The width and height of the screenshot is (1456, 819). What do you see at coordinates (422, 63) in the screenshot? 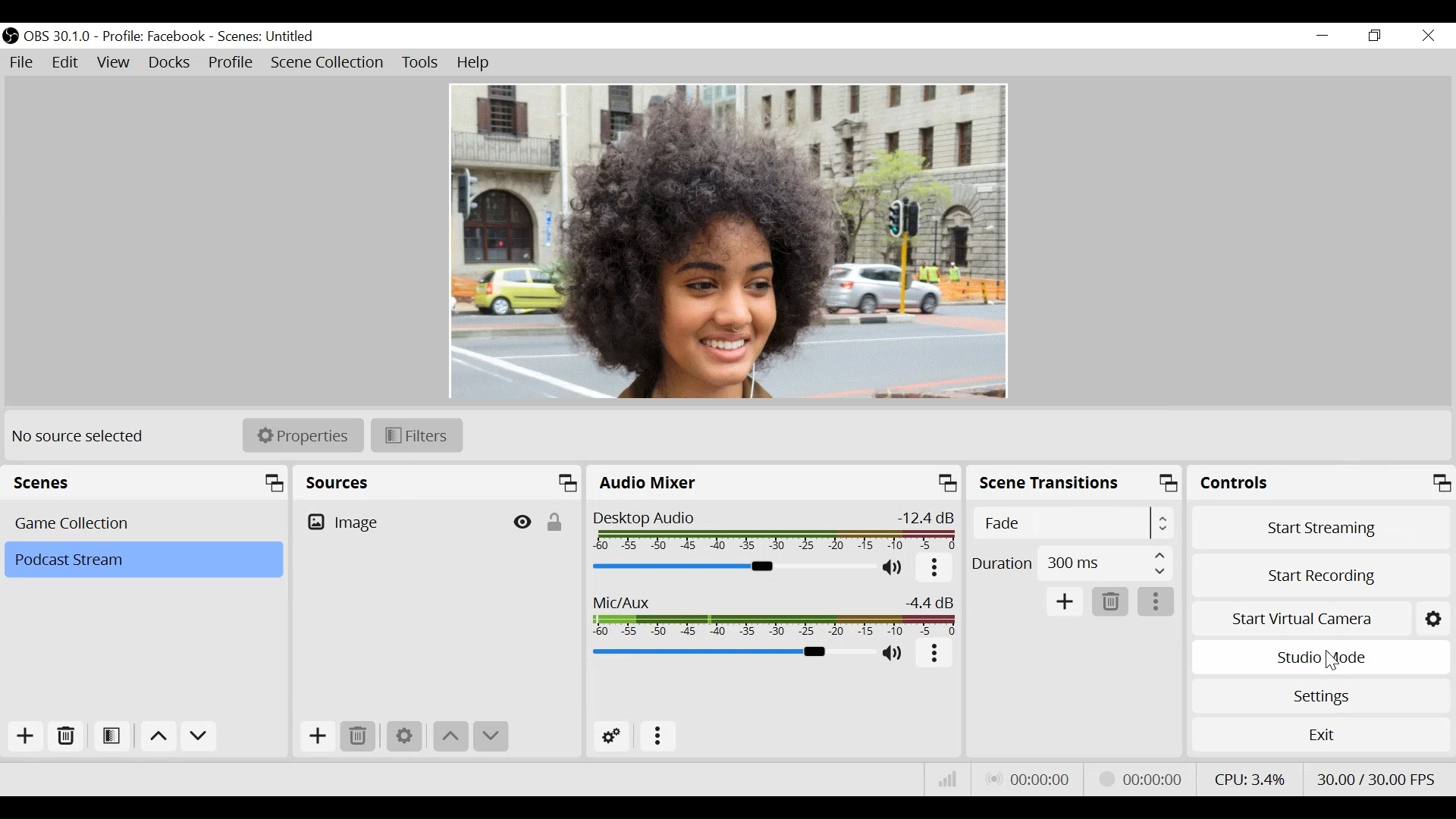
I see `Tools` at bounding box center [422, 63].